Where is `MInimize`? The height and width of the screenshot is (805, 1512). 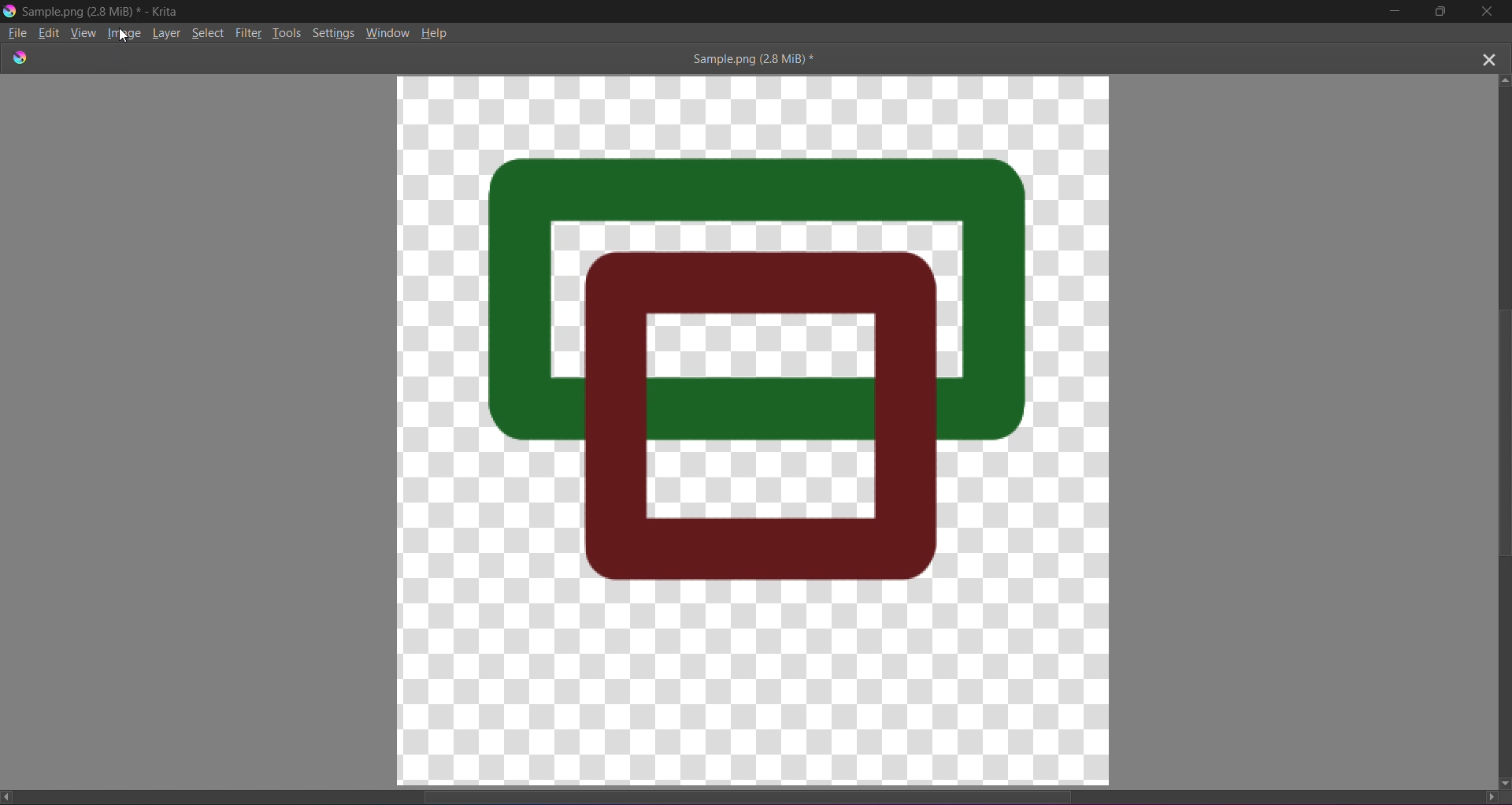
MInimize is located at coordinates (1392, 12).